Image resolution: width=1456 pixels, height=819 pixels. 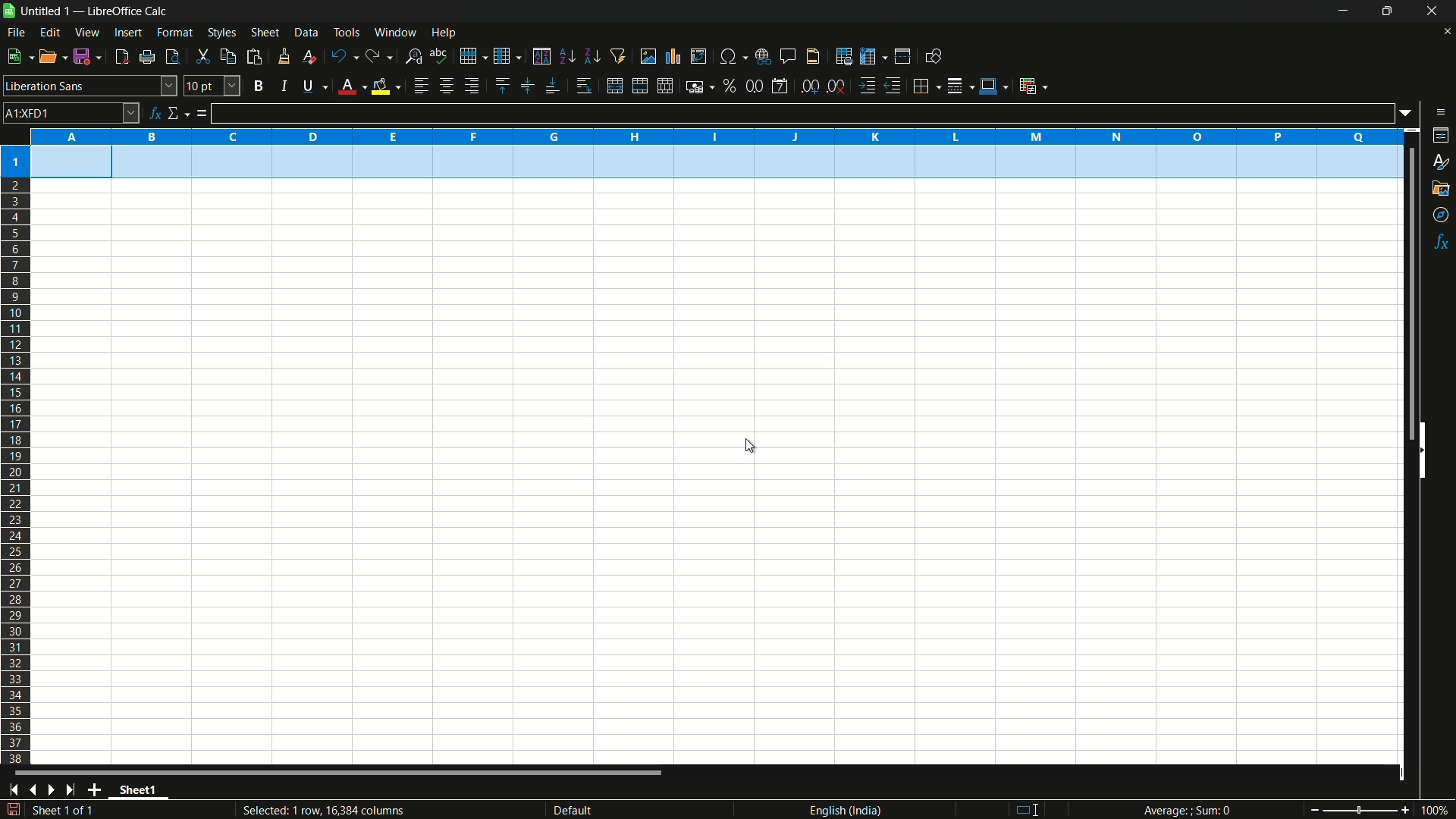 I want to click on previous sheet, so click(x=32, y=790).